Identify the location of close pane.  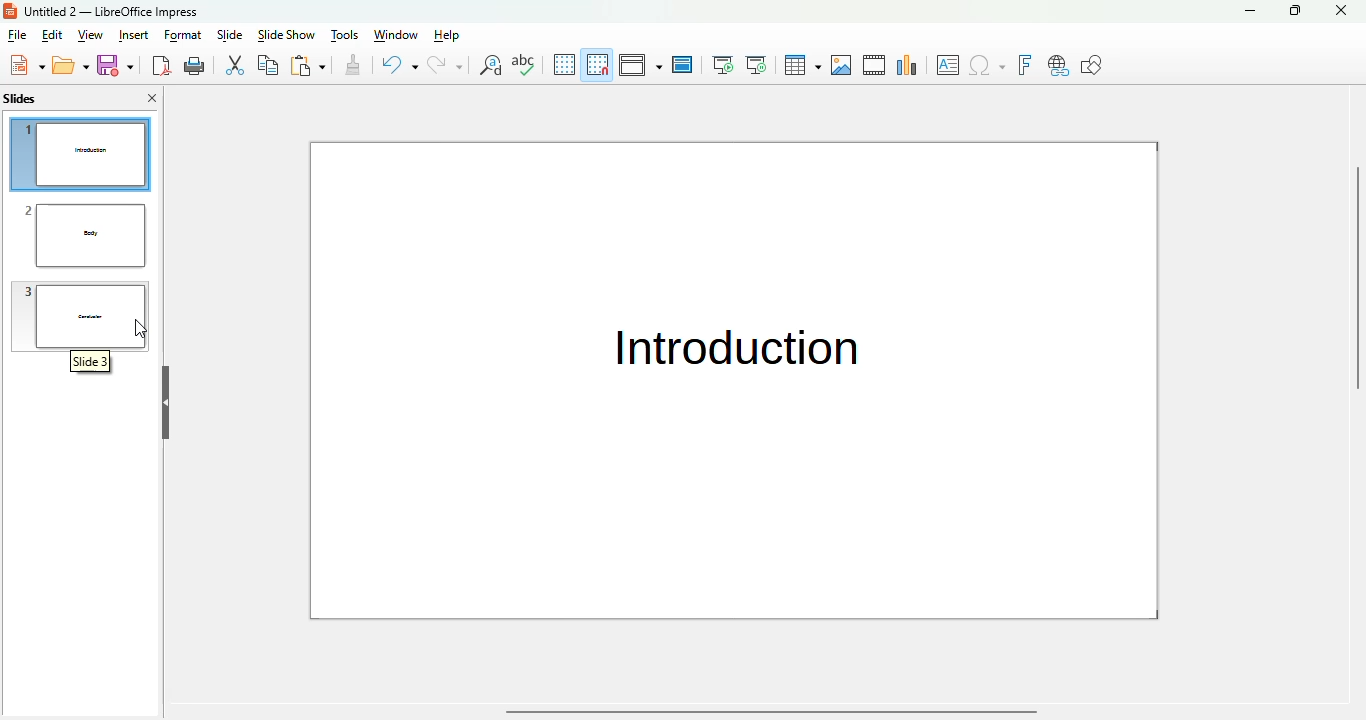
(152, 98).